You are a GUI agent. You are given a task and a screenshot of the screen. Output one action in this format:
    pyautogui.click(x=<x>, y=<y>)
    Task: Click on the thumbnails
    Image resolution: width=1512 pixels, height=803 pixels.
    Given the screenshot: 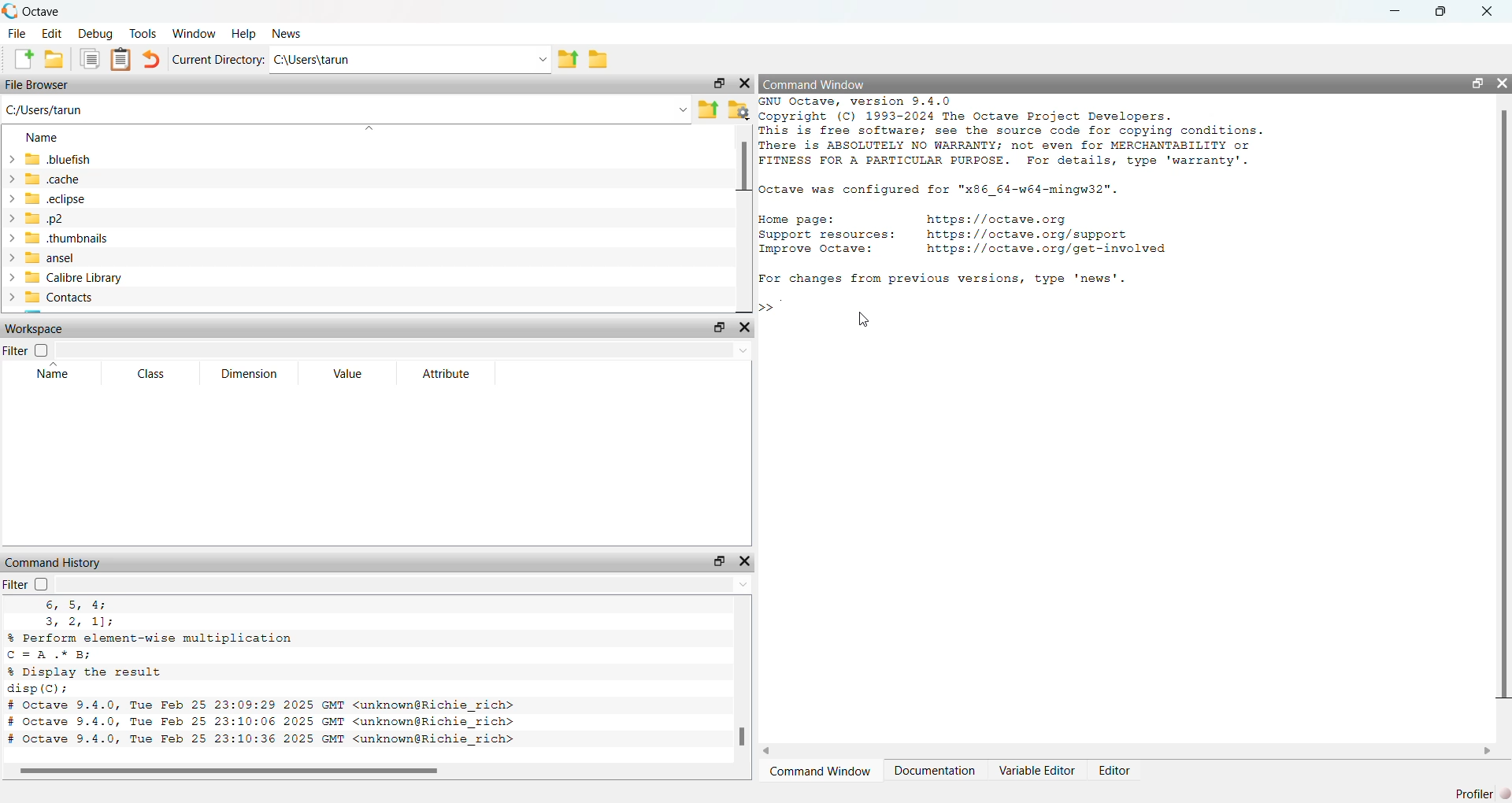 What is the action you would take?
    pyautogui.click(x=66, y=239)
    